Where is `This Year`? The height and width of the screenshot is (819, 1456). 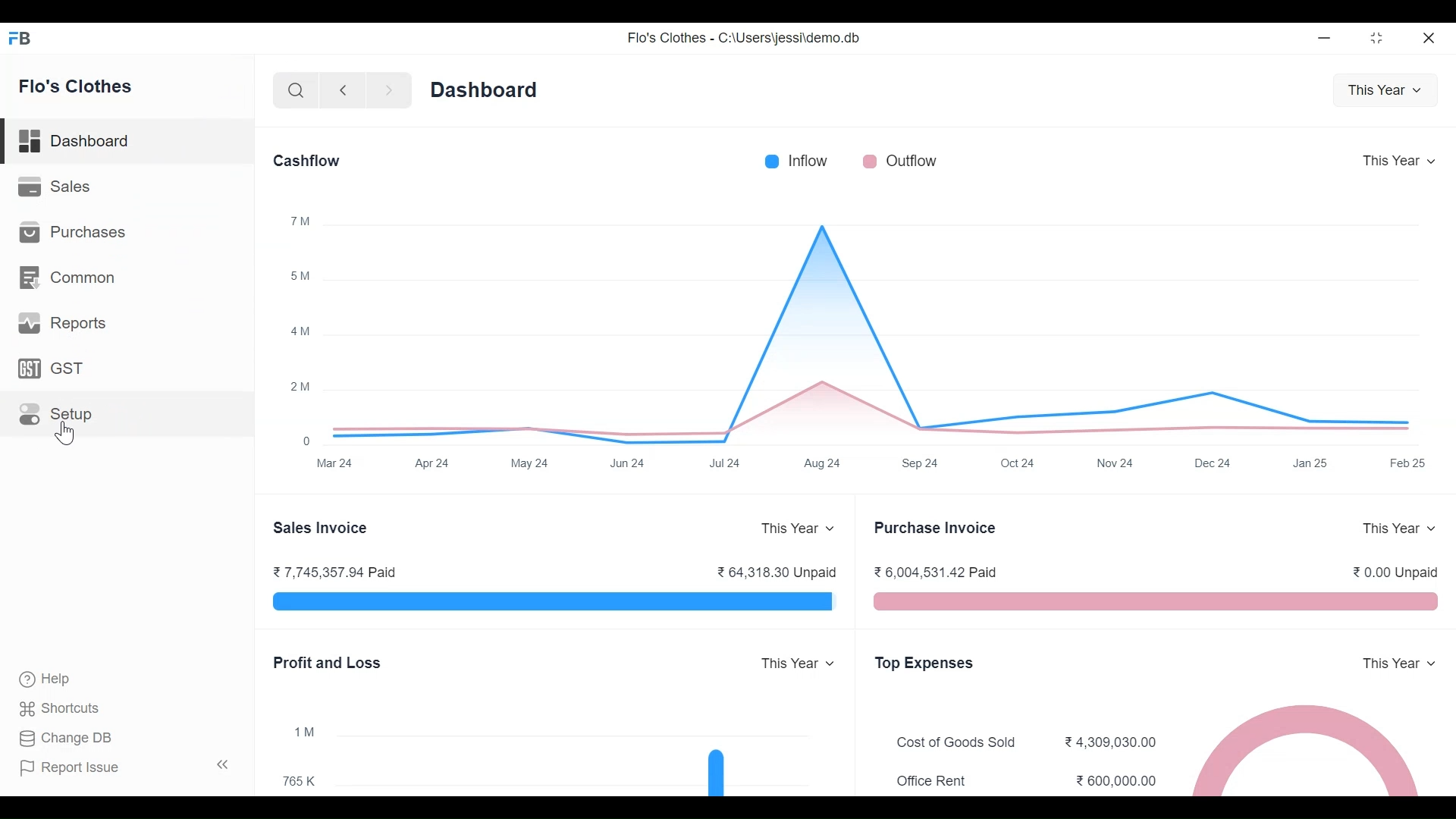 This Year is located at coordinates (1384, 91).